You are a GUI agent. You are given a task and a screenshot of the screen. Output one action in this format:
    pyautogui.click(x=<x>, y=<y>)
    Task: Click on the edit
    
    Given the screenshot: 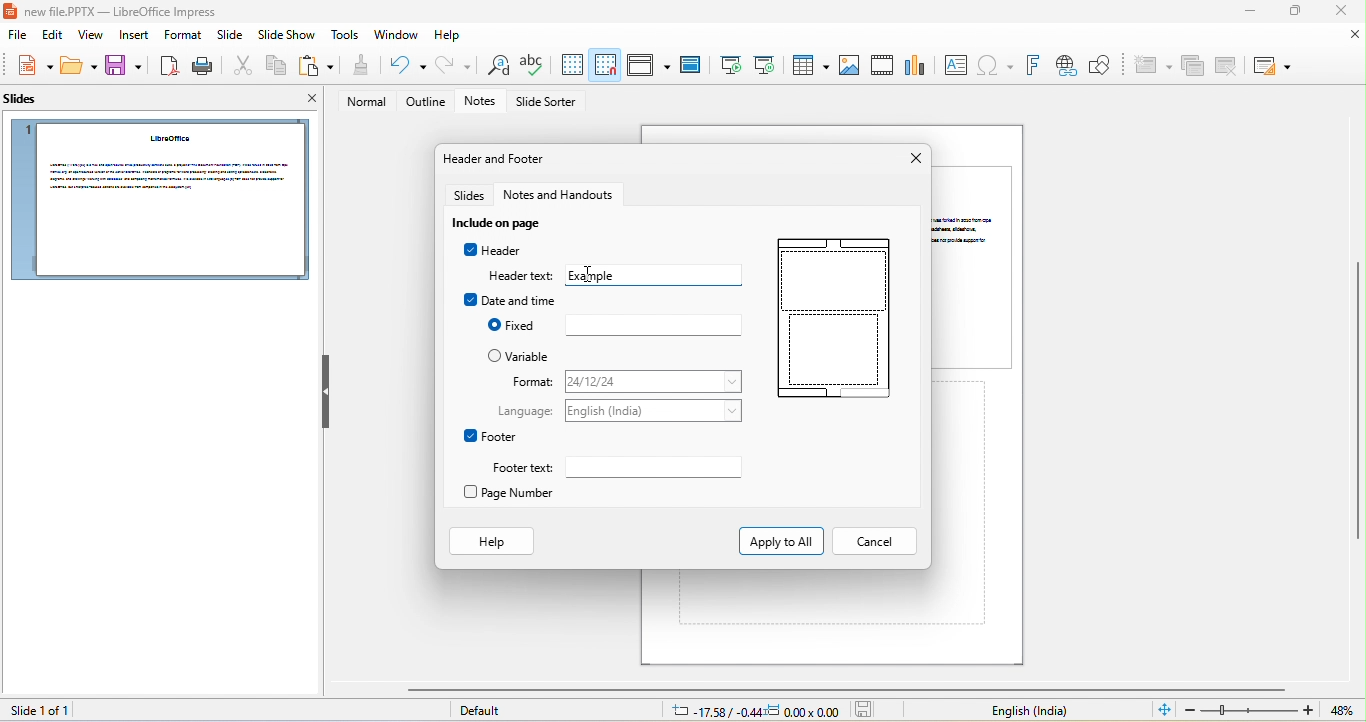 What is the action you would take?
    pyautogui.click(x=50, y=37)
    